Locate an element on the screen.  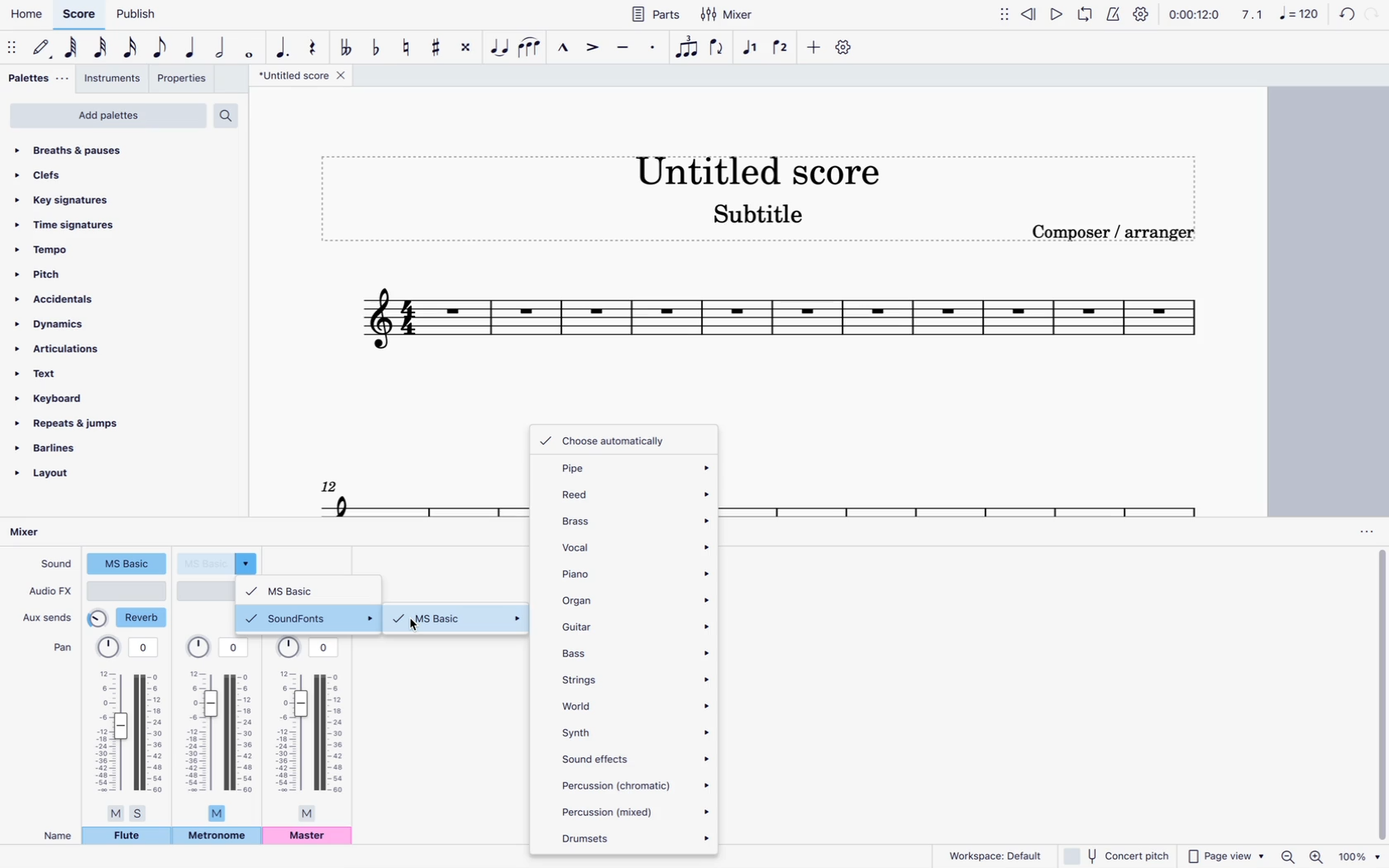
soundfonts is located at coordinates (311, 618).